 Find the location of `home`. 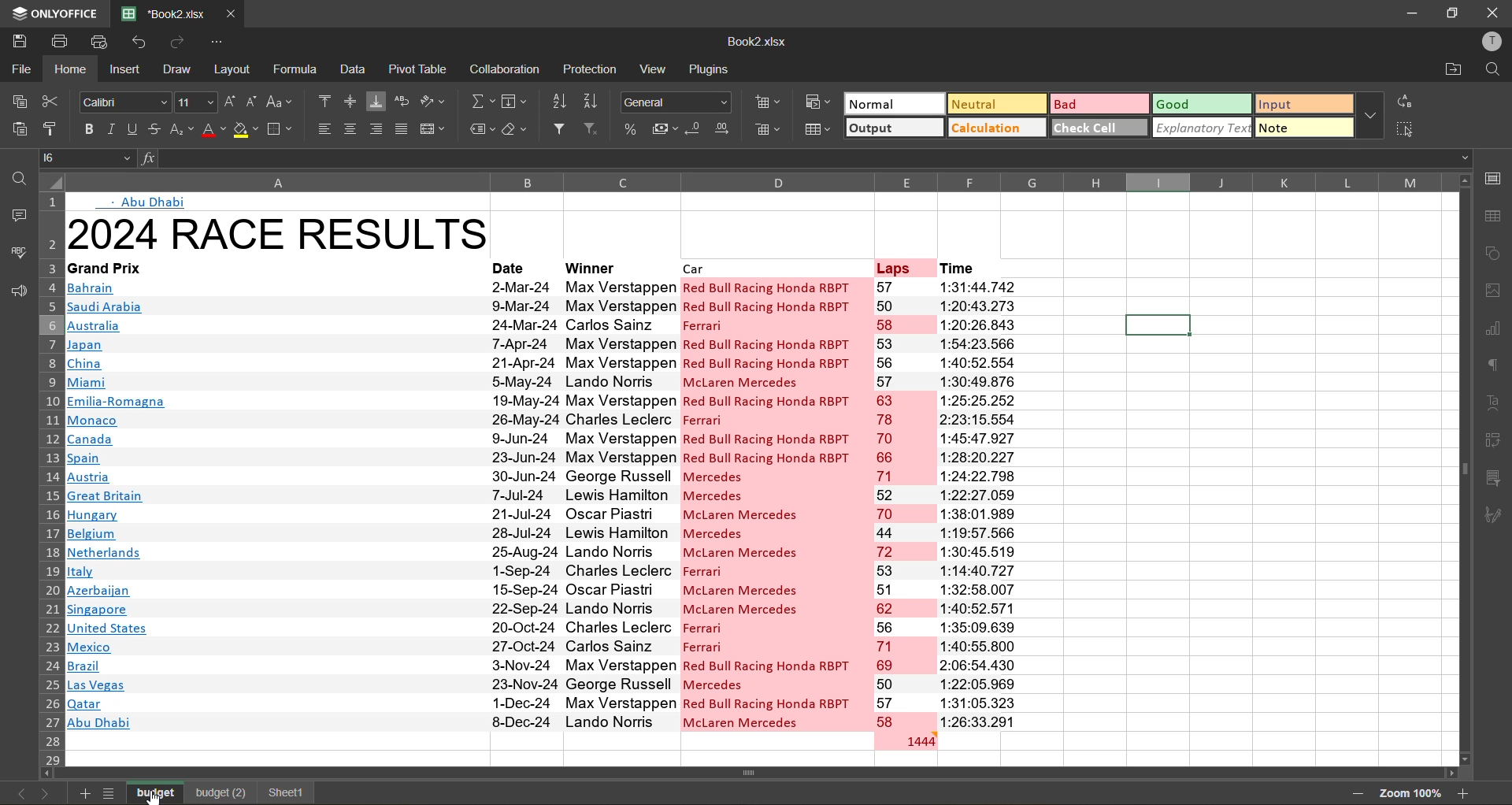

home is located at coordinates (75, 69).